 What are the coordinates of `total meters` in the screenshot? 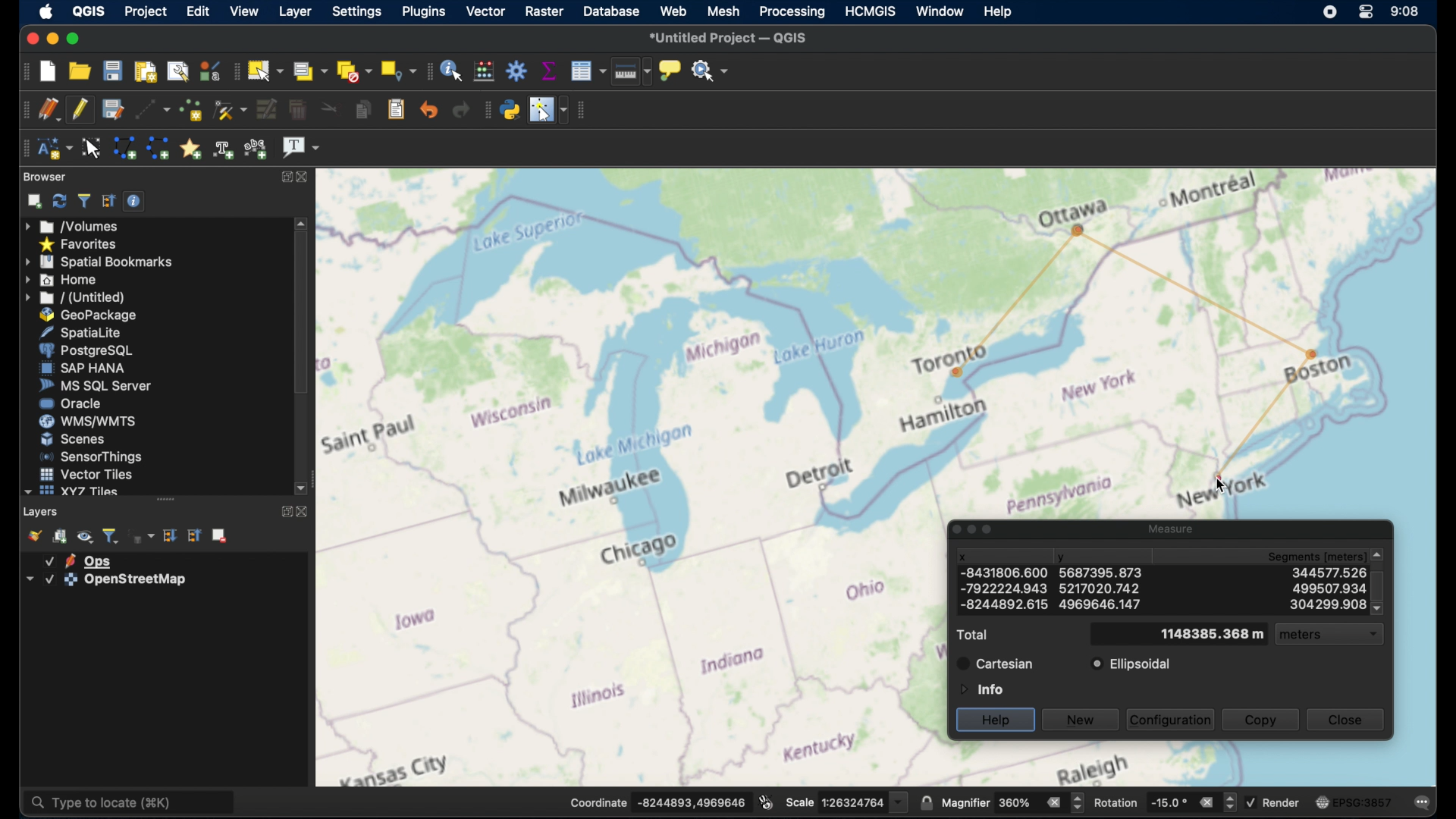 It's located at (1212, 635).